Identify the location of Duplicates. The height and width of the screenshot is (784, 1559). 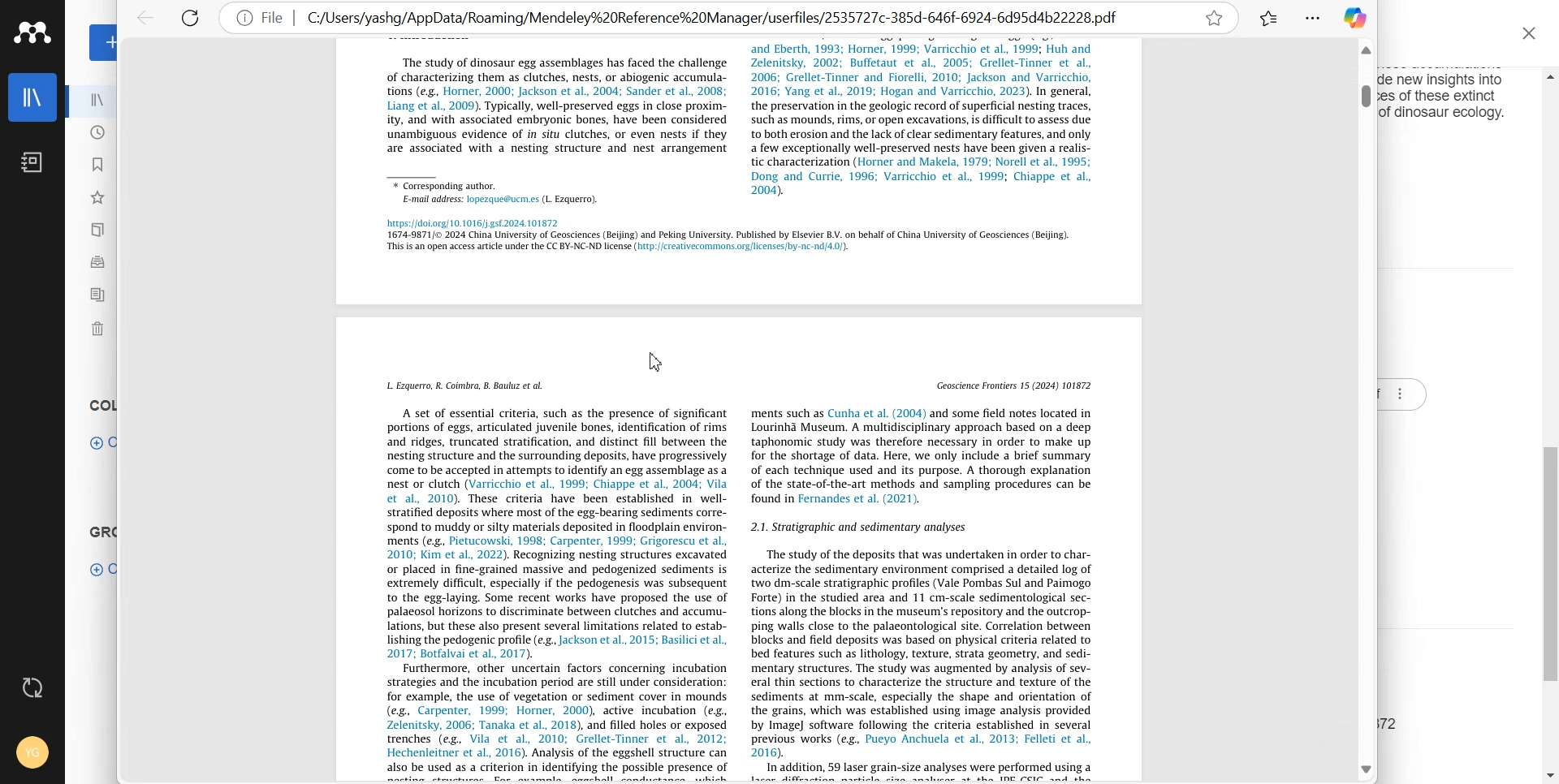
(98, 294).